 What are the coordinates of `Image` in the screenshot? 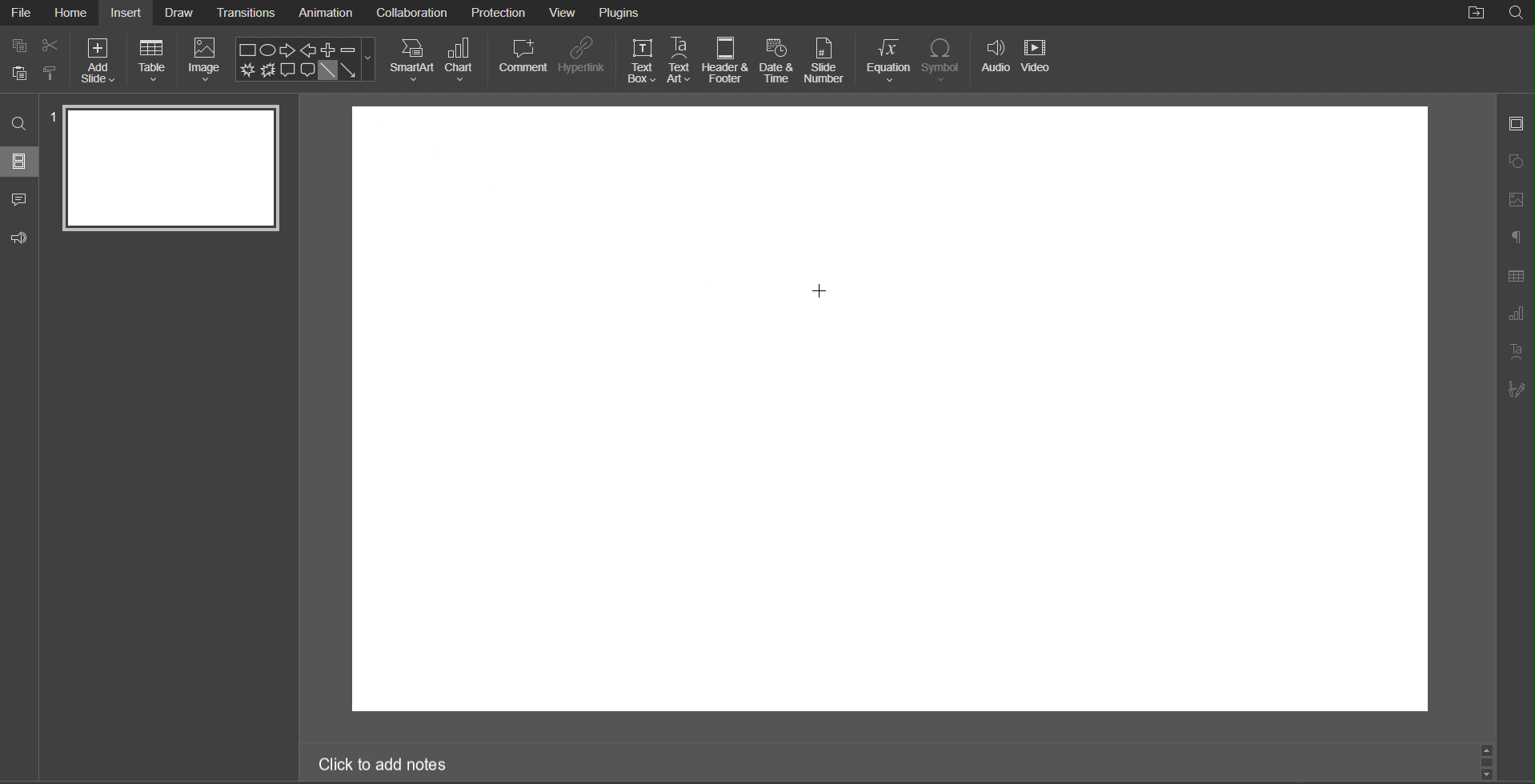 It's located at (206, 62).